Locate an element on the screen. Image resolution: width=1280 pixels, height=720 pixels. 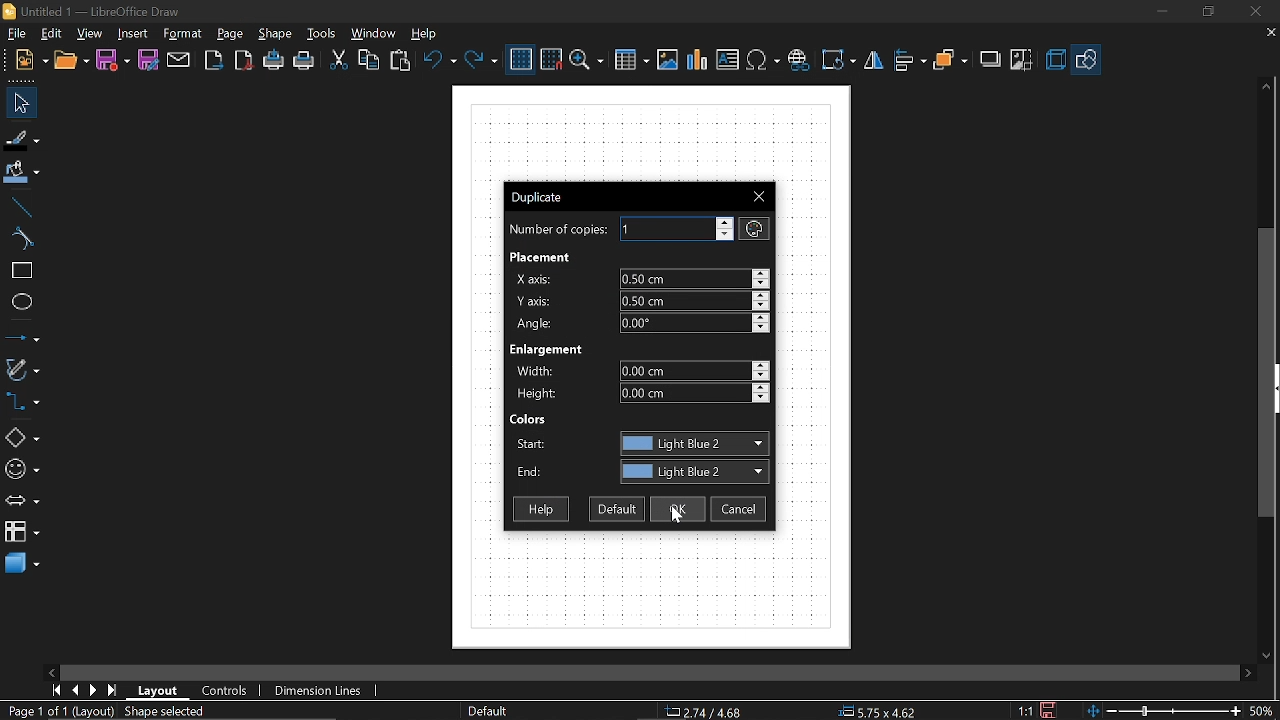
Lines and arrows is located at coordinates (22, 336).